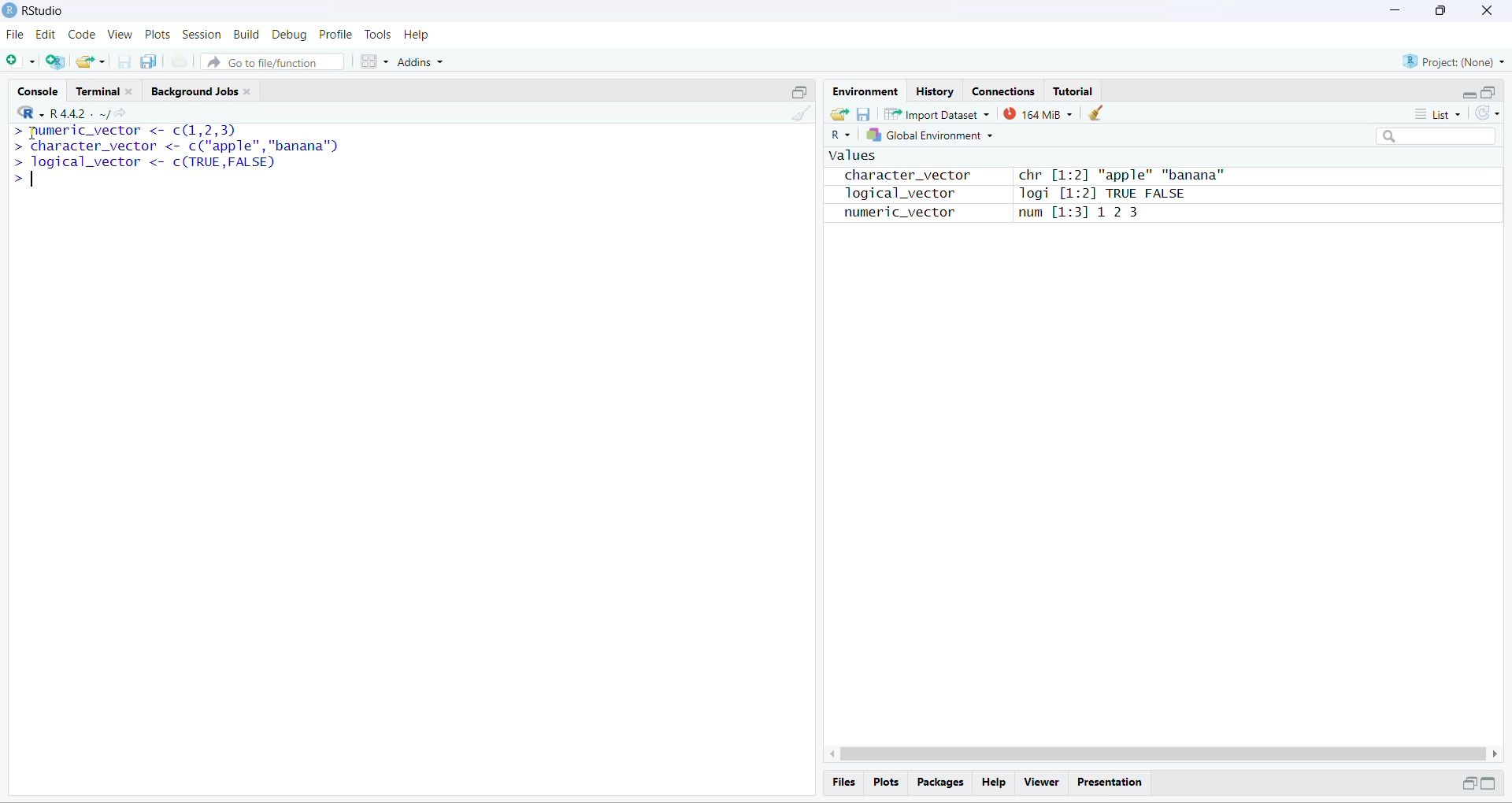 The image size is (1512, 803). I want to click on History, so click(935, 90).